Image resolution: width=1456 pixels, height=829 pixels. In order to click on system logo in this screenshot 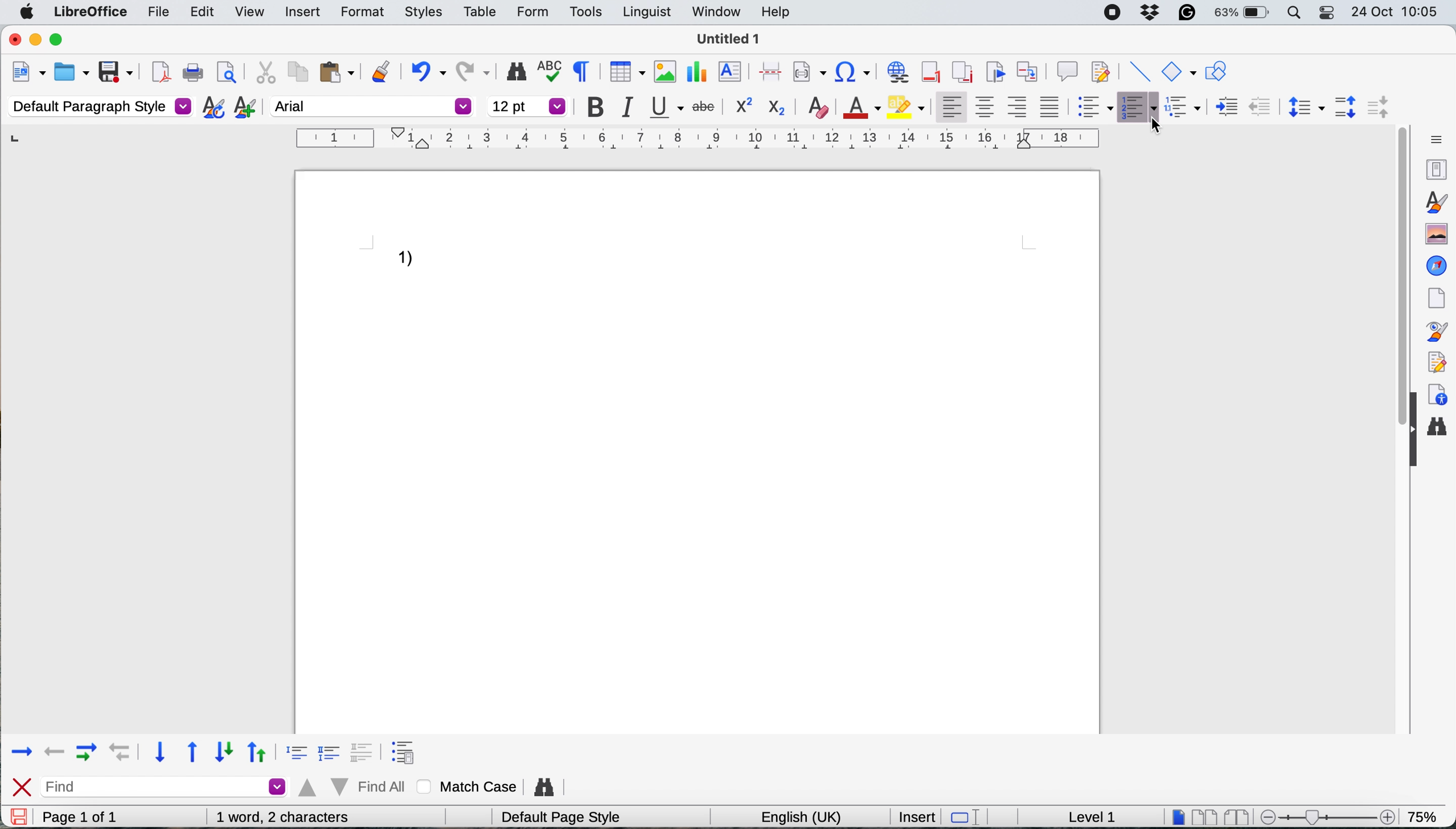, I will do `click(27, 12)`.